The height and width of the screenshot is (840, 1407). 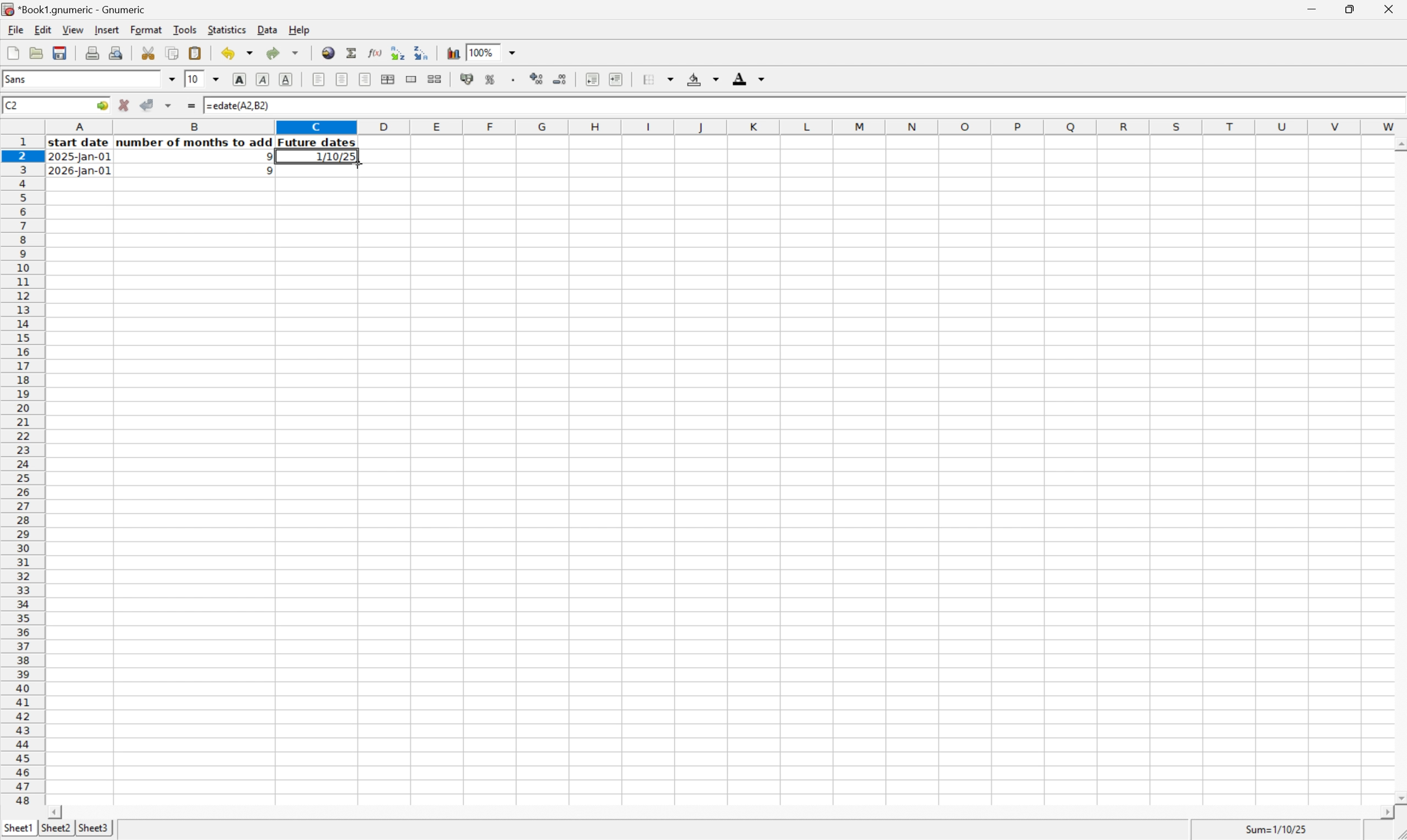 I want to click on Sort the selected region in ascending order based on the first column selected, so click(x=397, y=52).